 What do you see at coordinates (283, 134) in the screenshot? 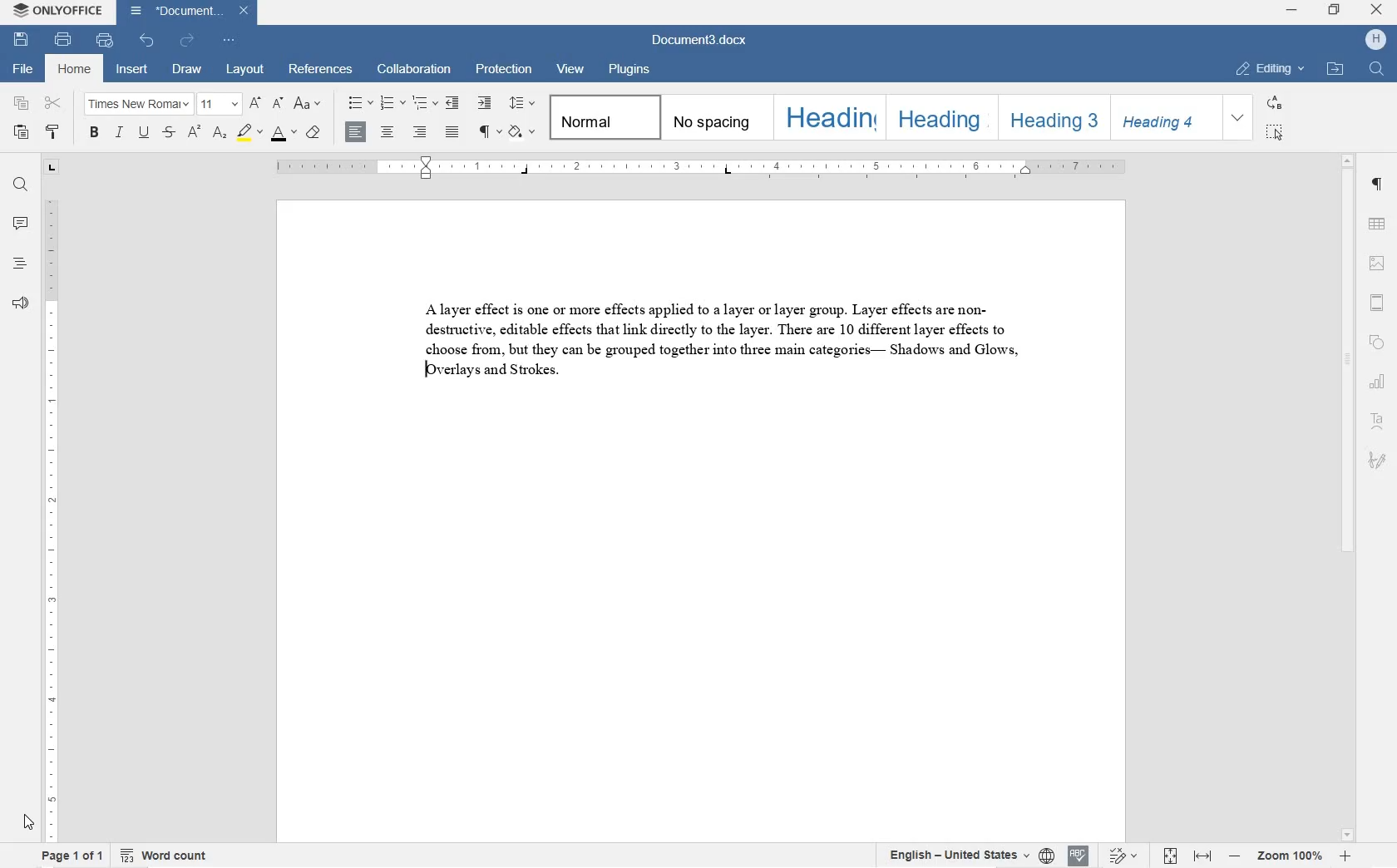
I see `FONT COLOR` at bounding box center [283, 134].